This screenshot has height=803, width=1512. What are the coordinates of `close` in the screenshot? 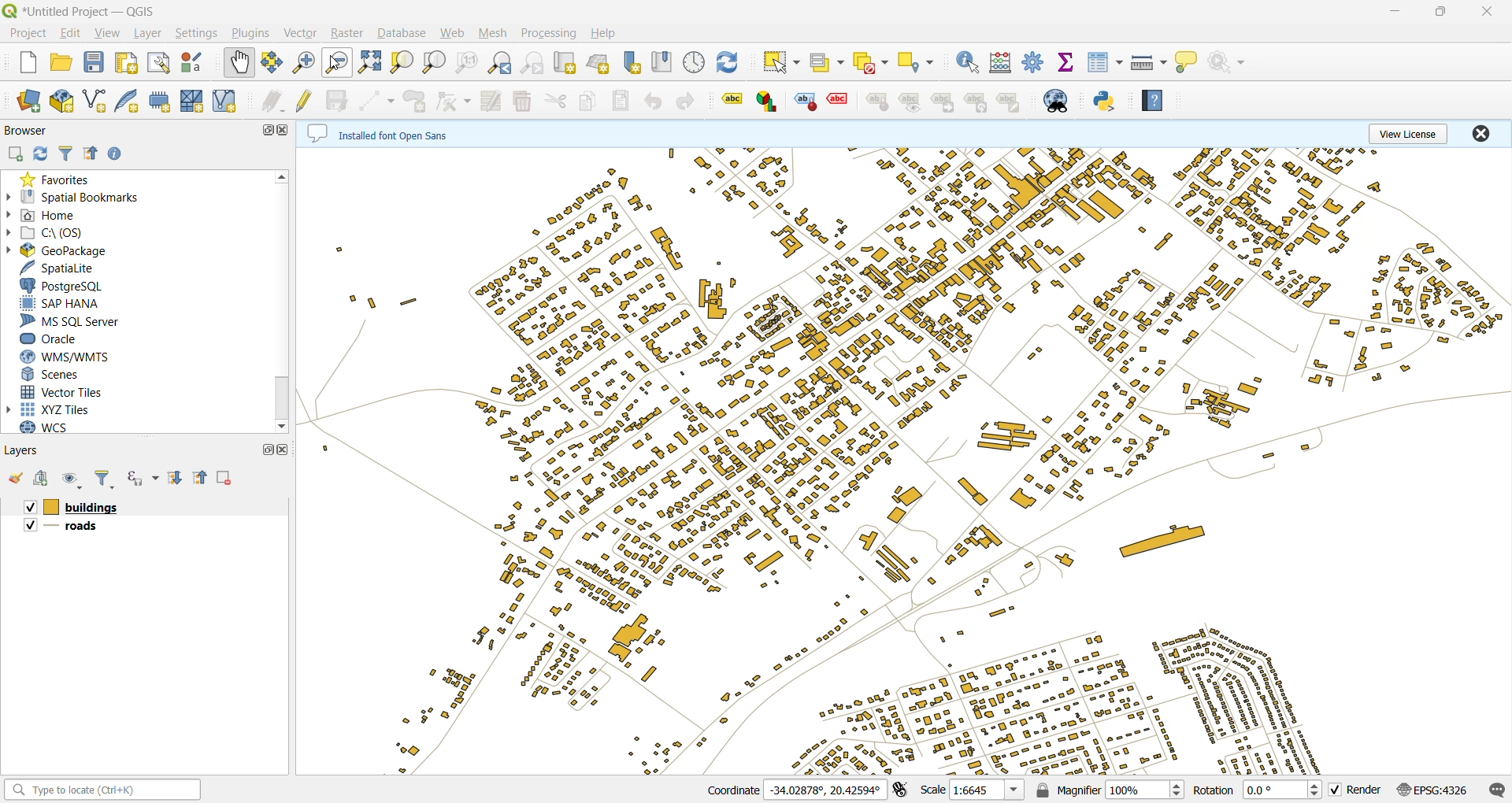 It's located at (286, 132).